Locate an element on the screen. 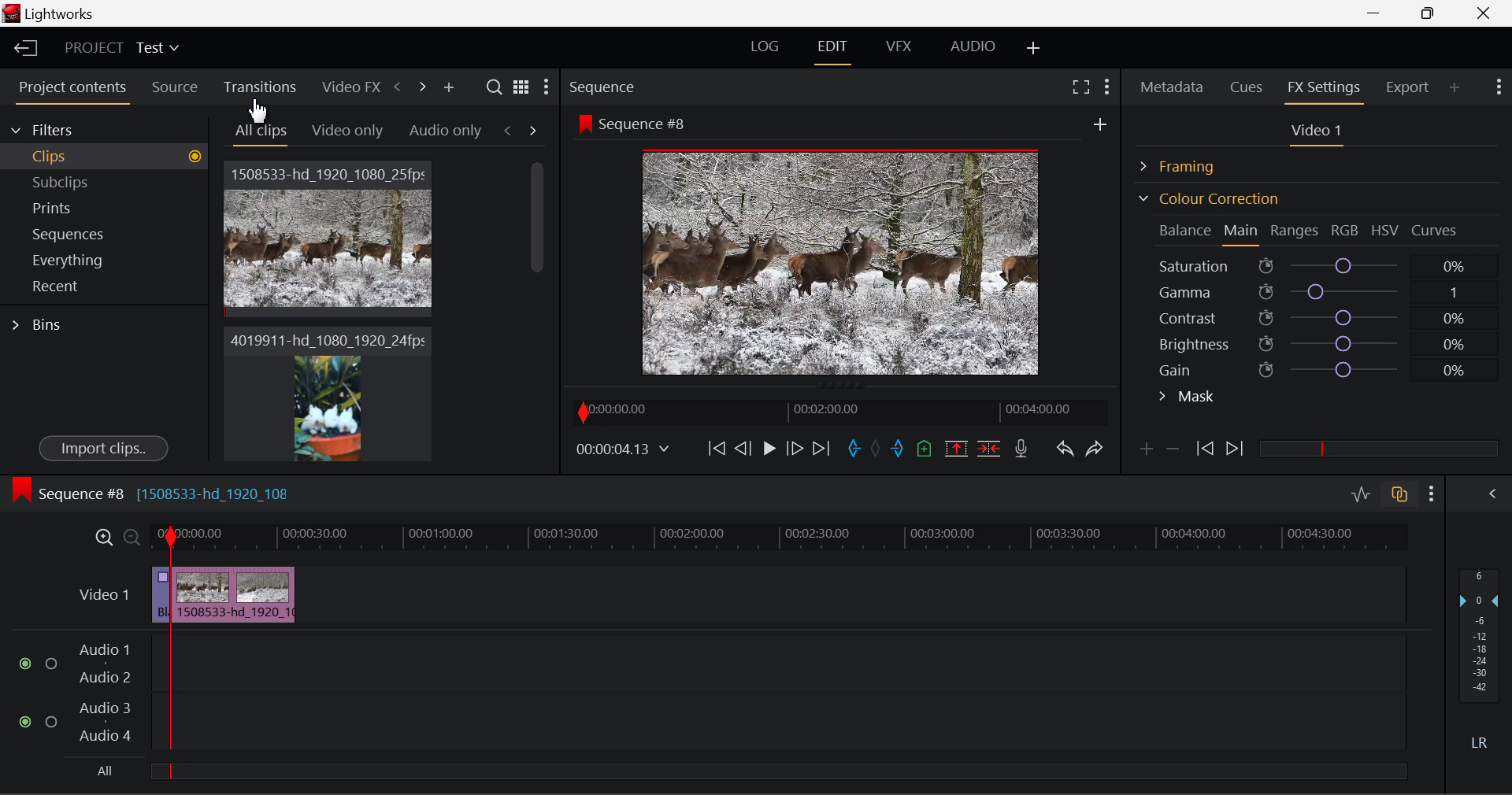 The height and width of the screenshot is (795, 1512). RGB is located at coordinates (1346, 231).